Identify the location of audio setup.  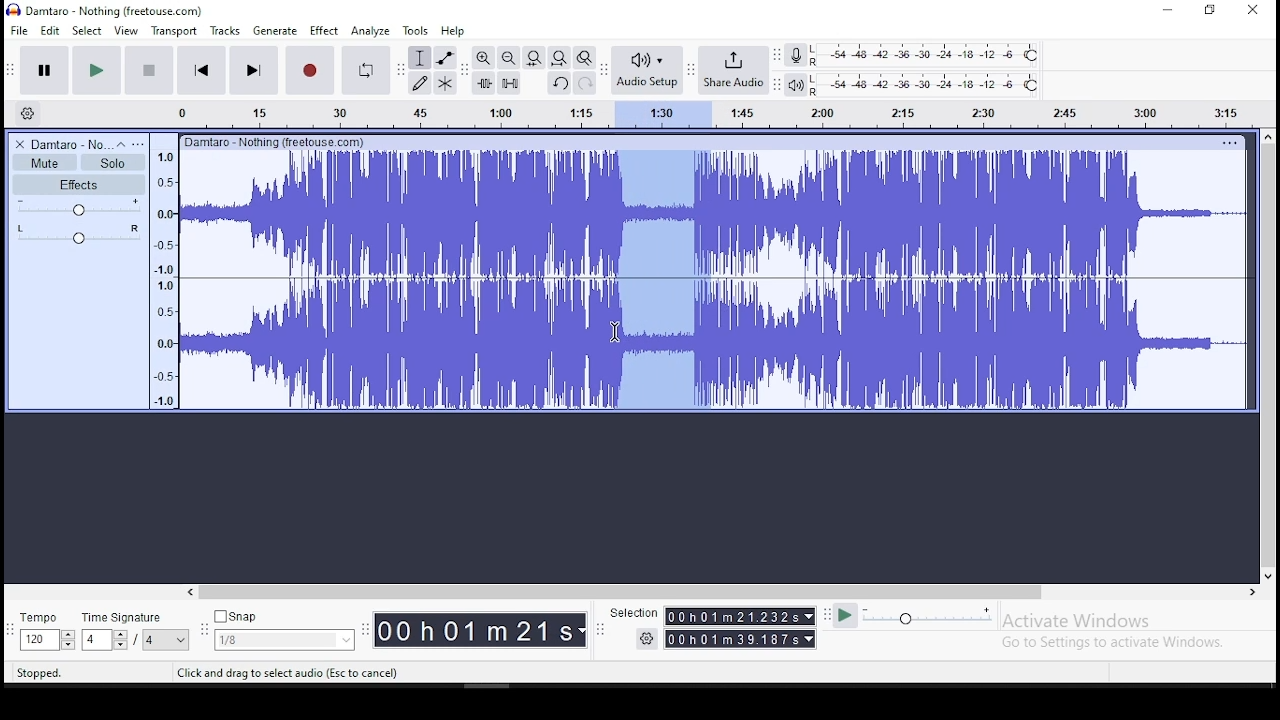
(646, 68).